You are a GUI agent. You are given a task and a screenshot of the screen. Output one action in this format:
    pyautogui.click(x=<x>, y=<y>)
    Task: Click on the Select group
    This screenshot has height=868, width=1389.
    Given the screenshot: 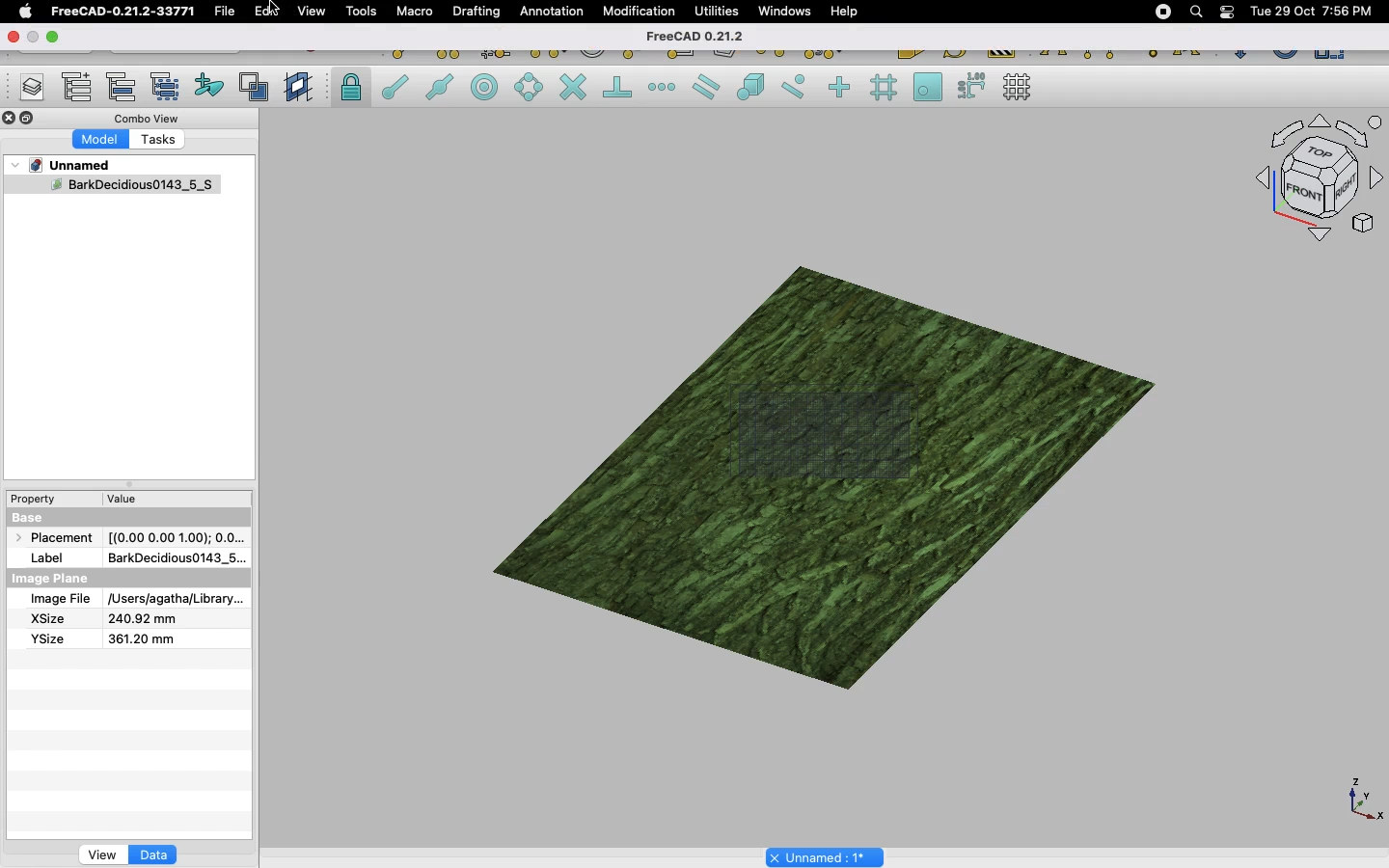 What is the action you would take?
    pyautogui.click(x=167, y=85)
    